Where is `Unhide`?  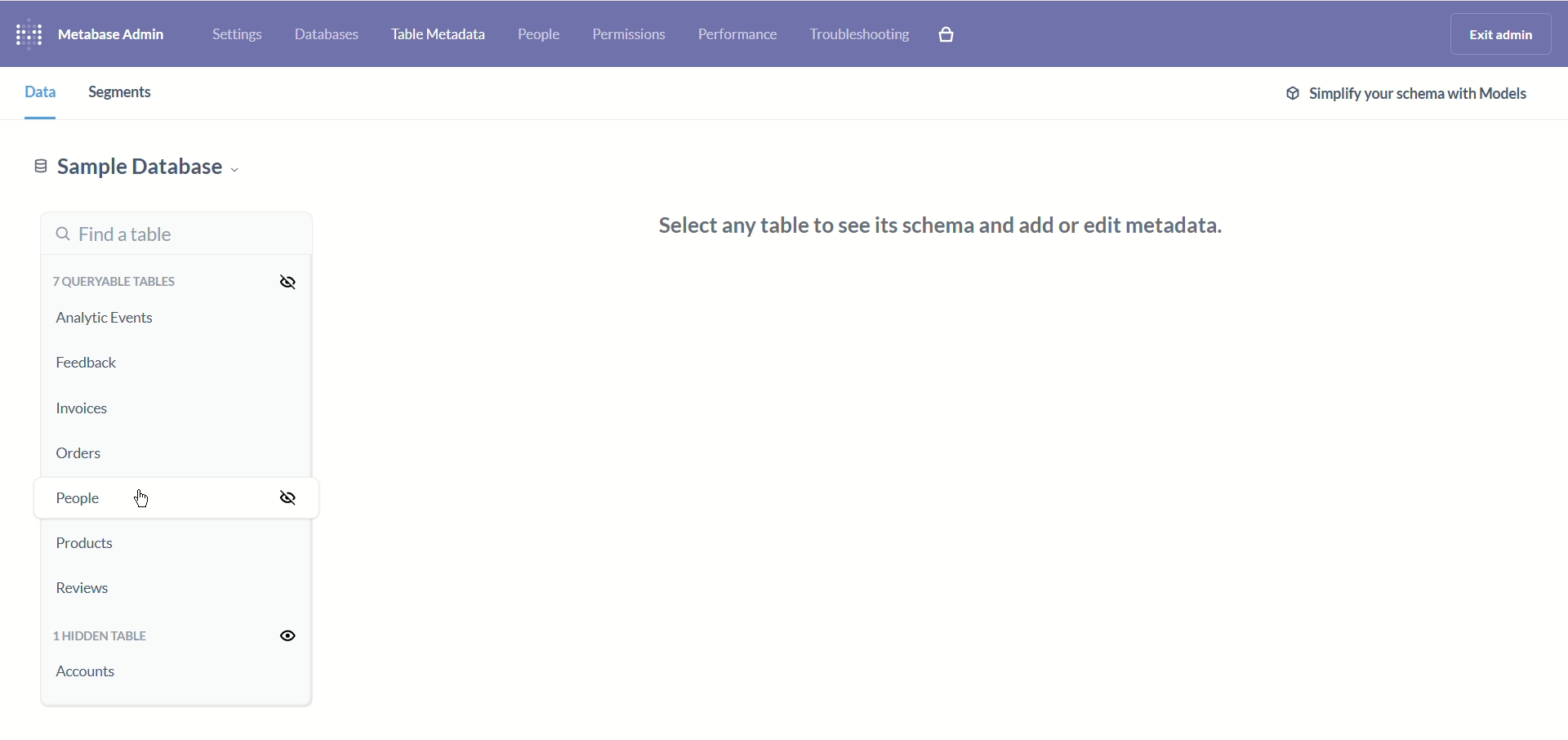
Unhide is located at coordinates (278, 636).